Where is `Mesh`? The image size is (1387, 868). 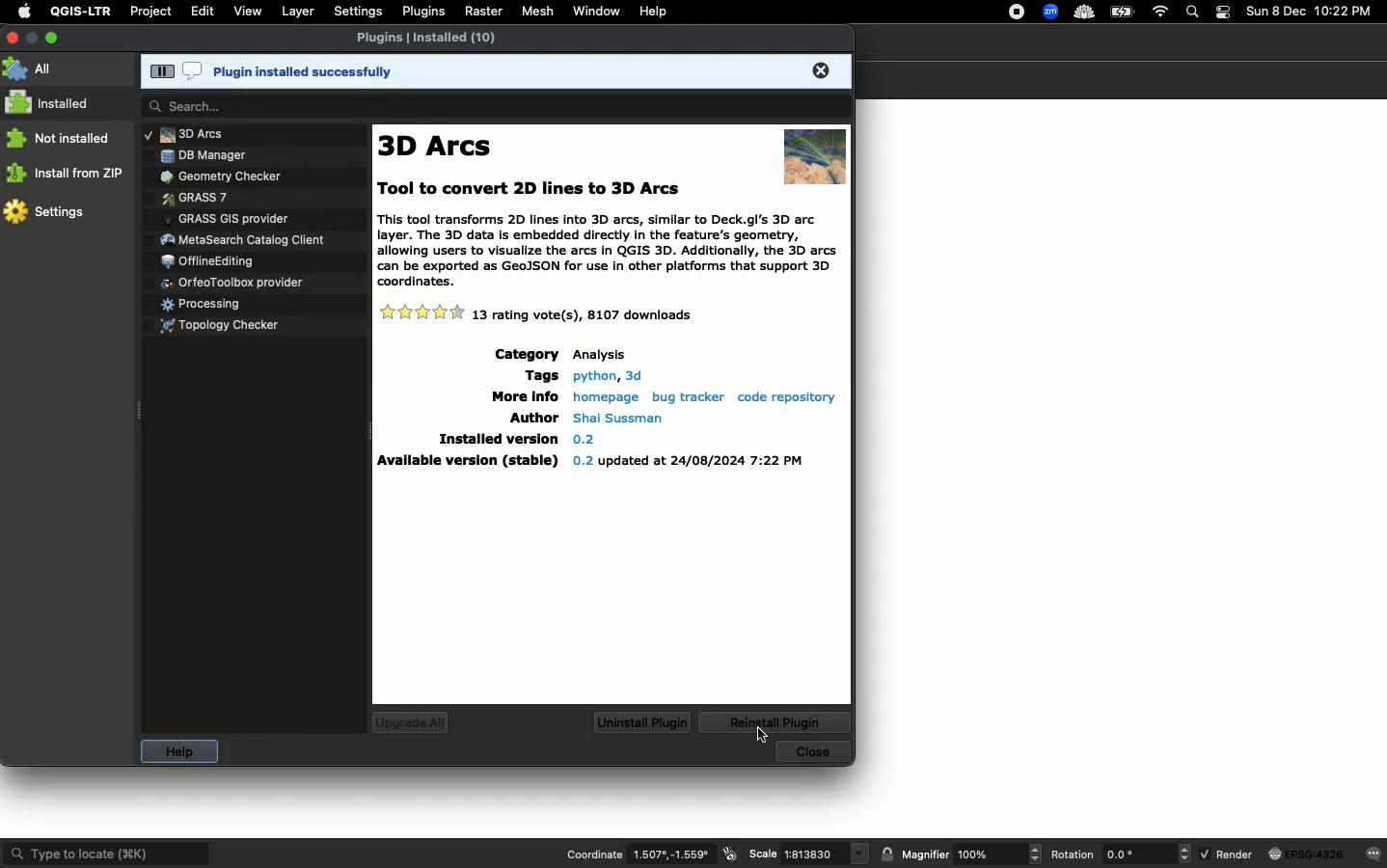 Mesh is located at coordinates (537, 12).